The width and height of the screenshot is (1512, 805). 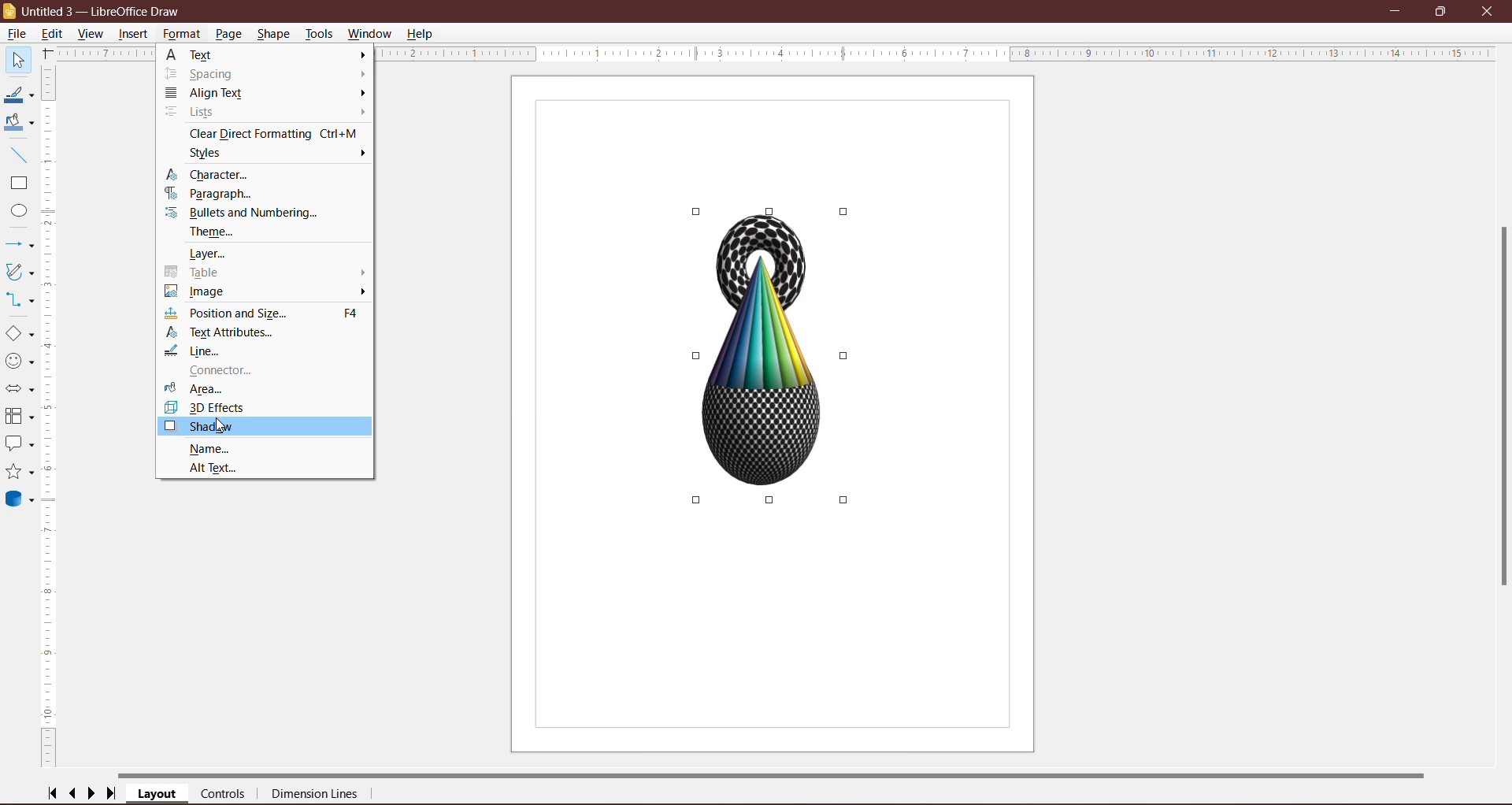 What do you see at coordinates (196, 351) in the screenshot?
I see `Line` at bounding box center [196, 351].